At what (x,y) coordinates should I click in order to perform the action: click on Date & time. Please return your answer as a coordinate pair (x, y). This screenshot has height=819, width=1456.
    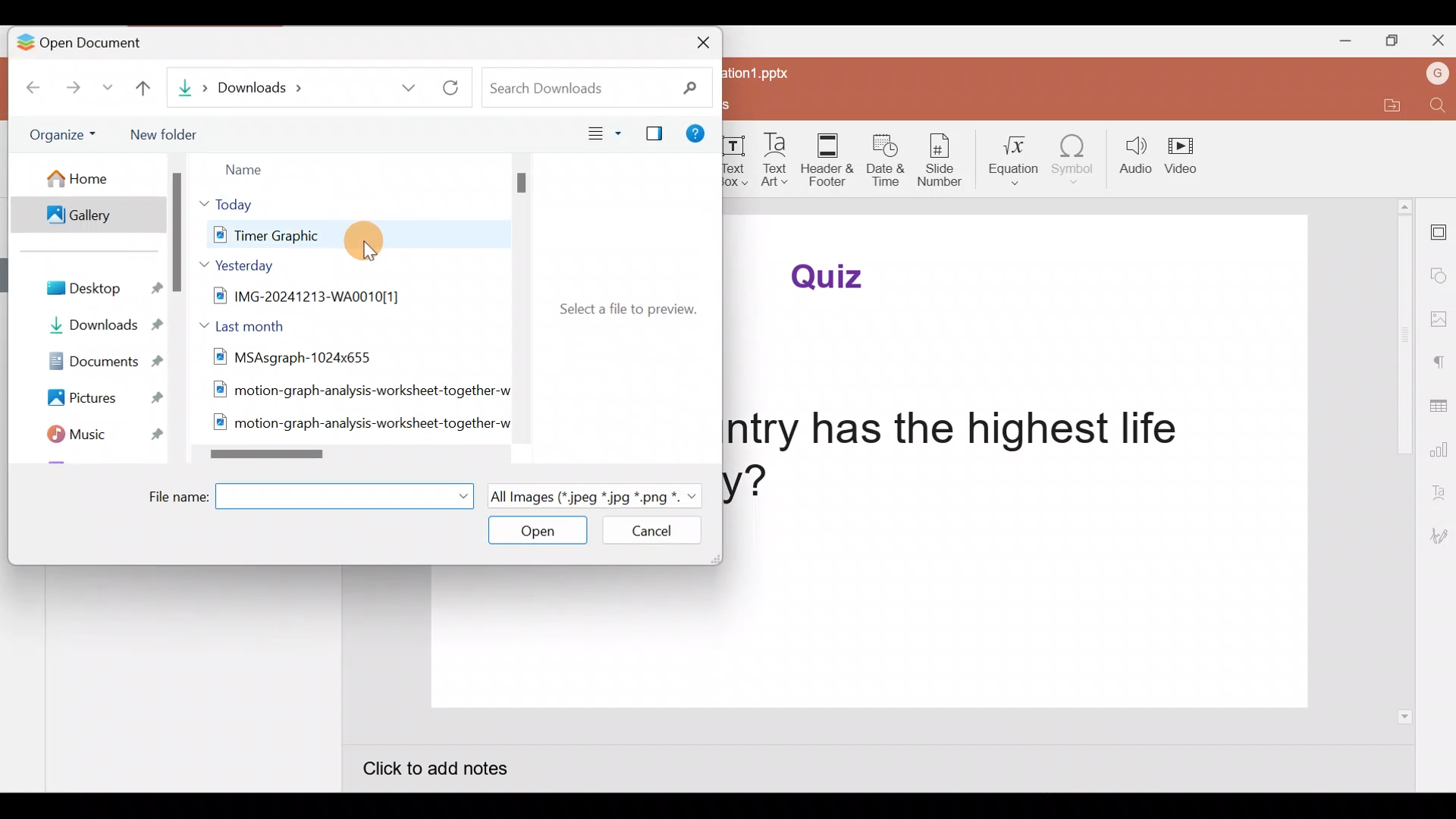
    Looking at the image, I should click on (887, 163).